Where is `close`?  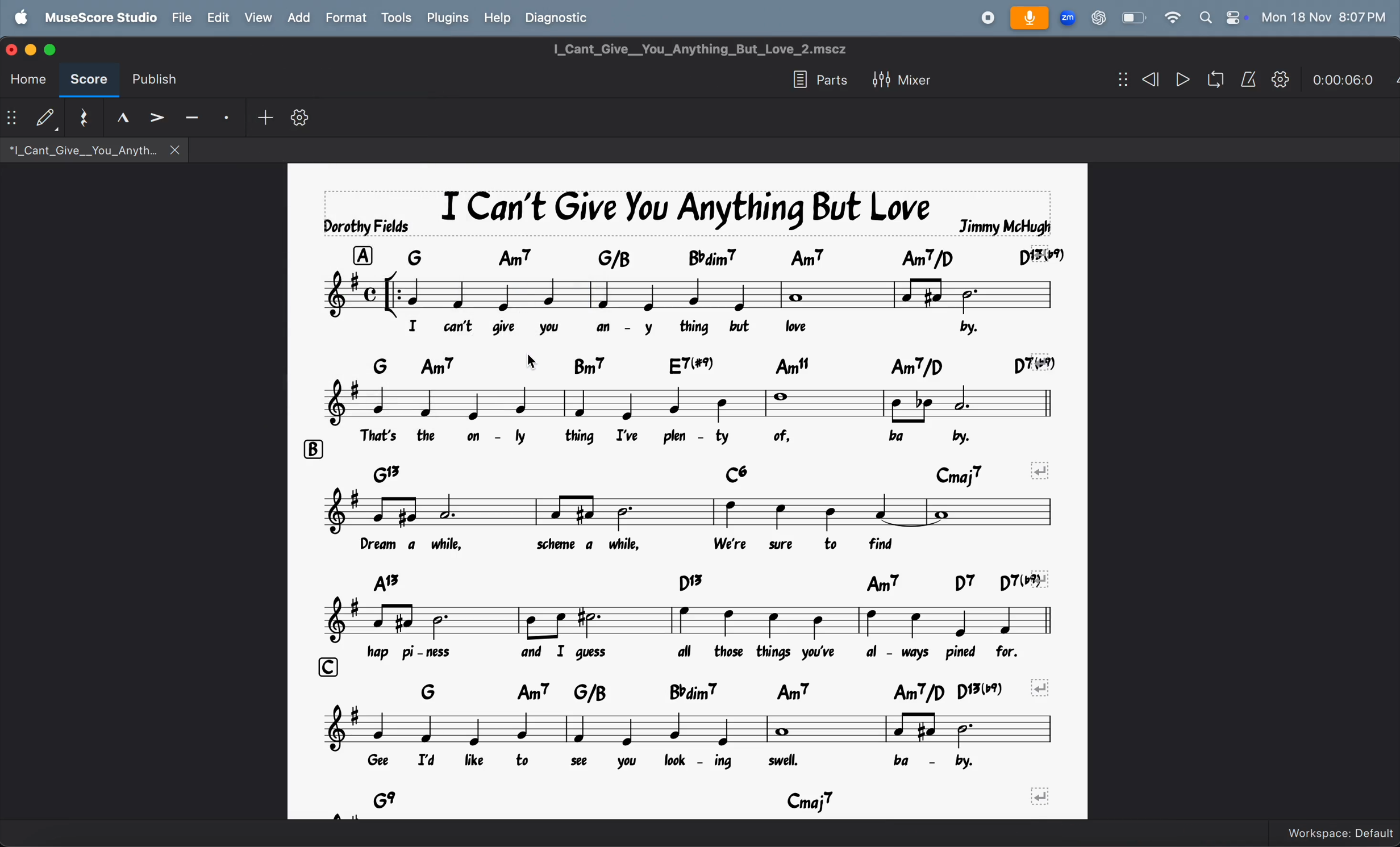 close is located at coordinates (13, 49).